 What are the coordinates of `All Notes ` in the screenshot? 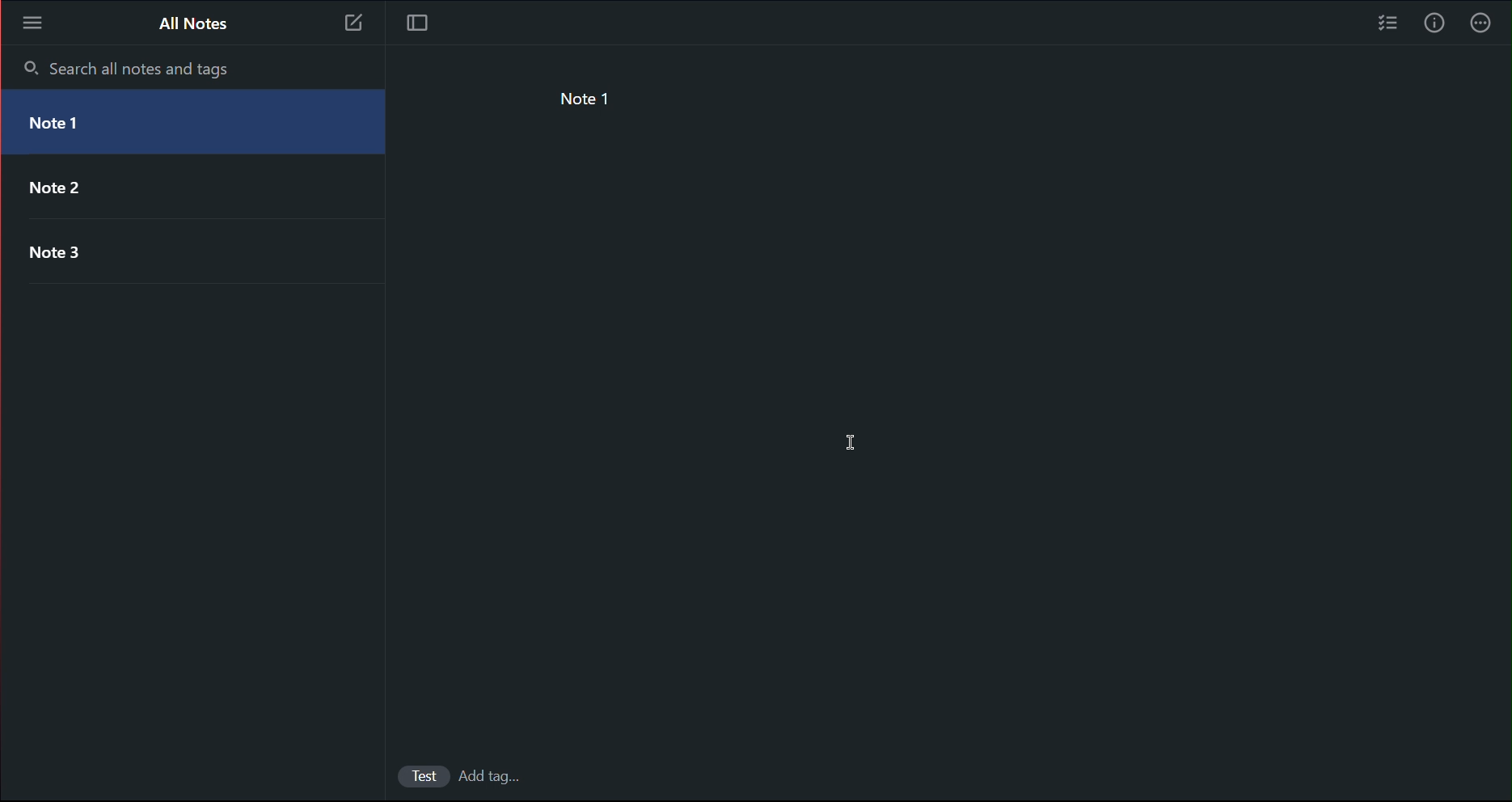 It's located at (194, 26).